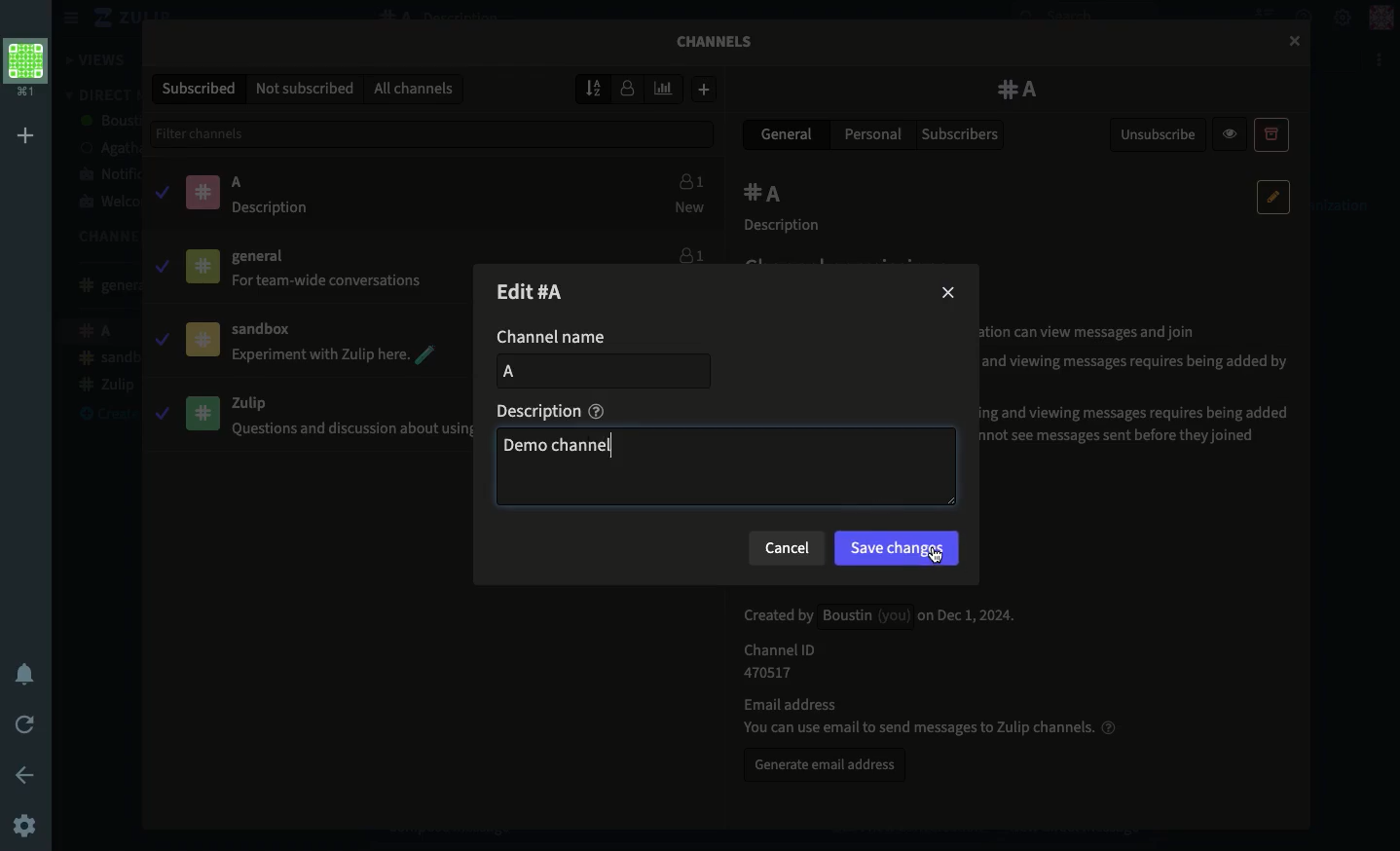  I want to click on Channel name, so click(550, 337).